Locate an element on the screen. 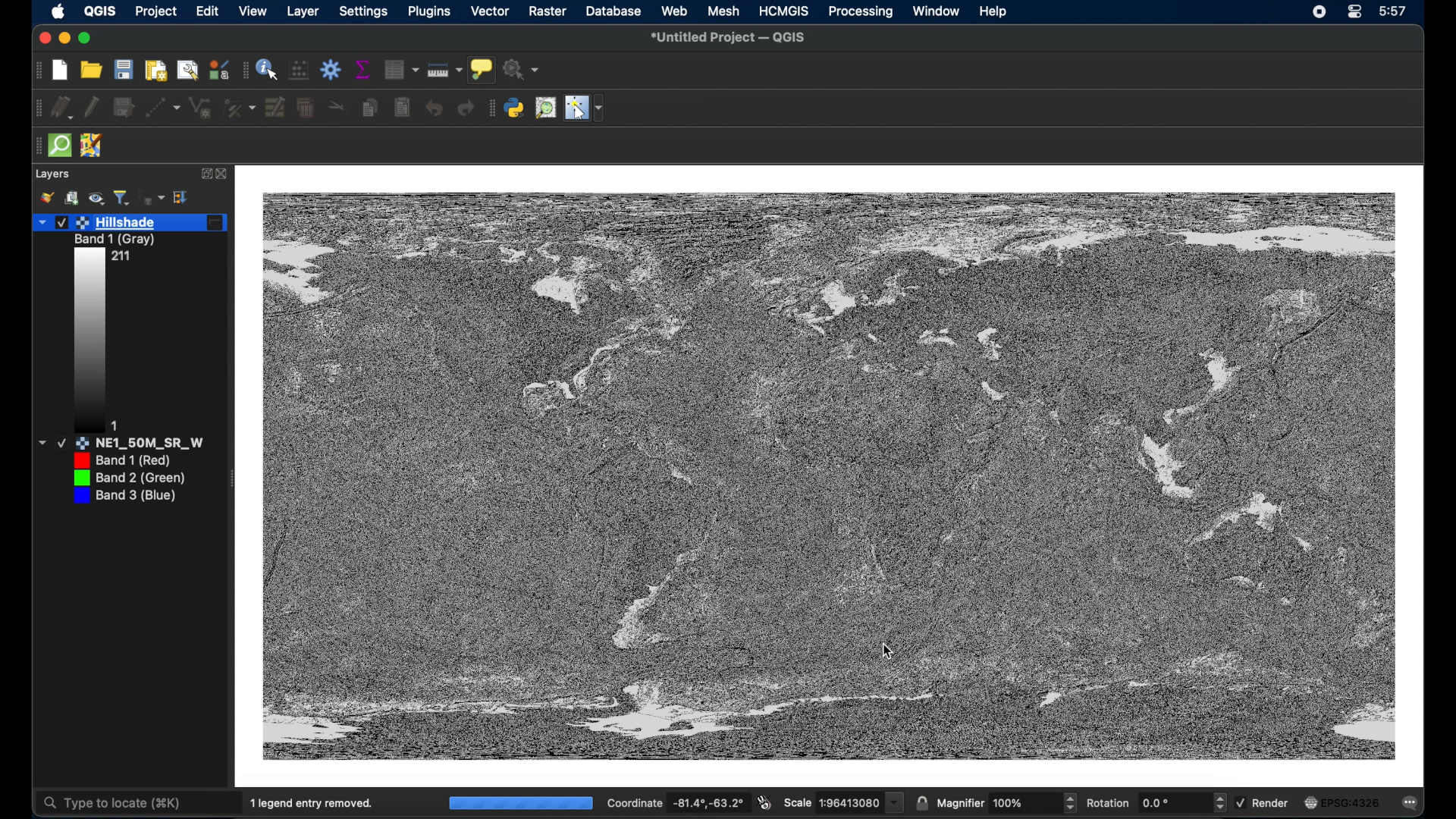 The image size is (1456, 819). layer 2 is located at coordinates (118, 240).